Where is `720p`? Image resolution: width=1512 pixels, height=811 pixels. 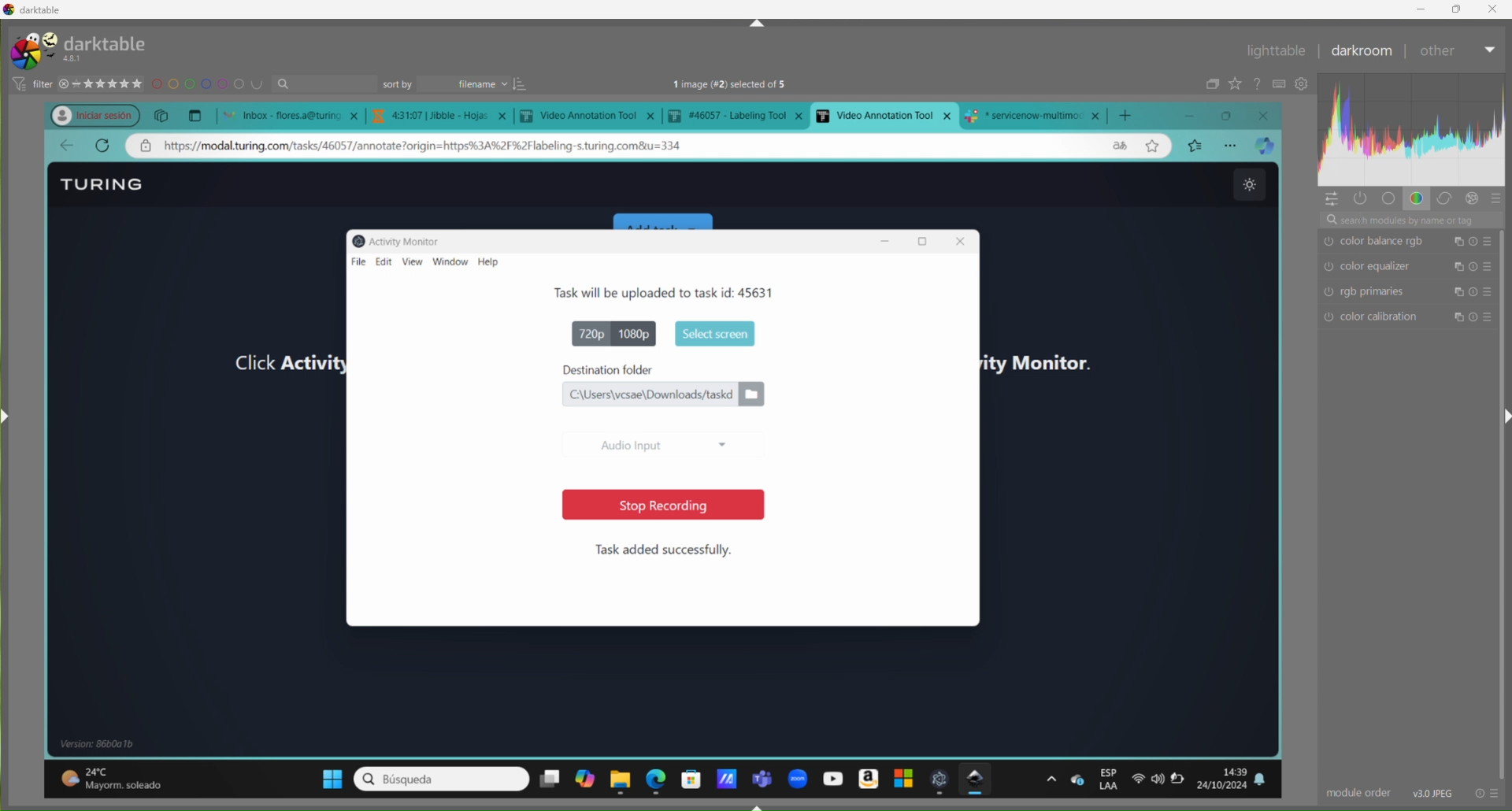 720p is located at coordinates (584, 332).